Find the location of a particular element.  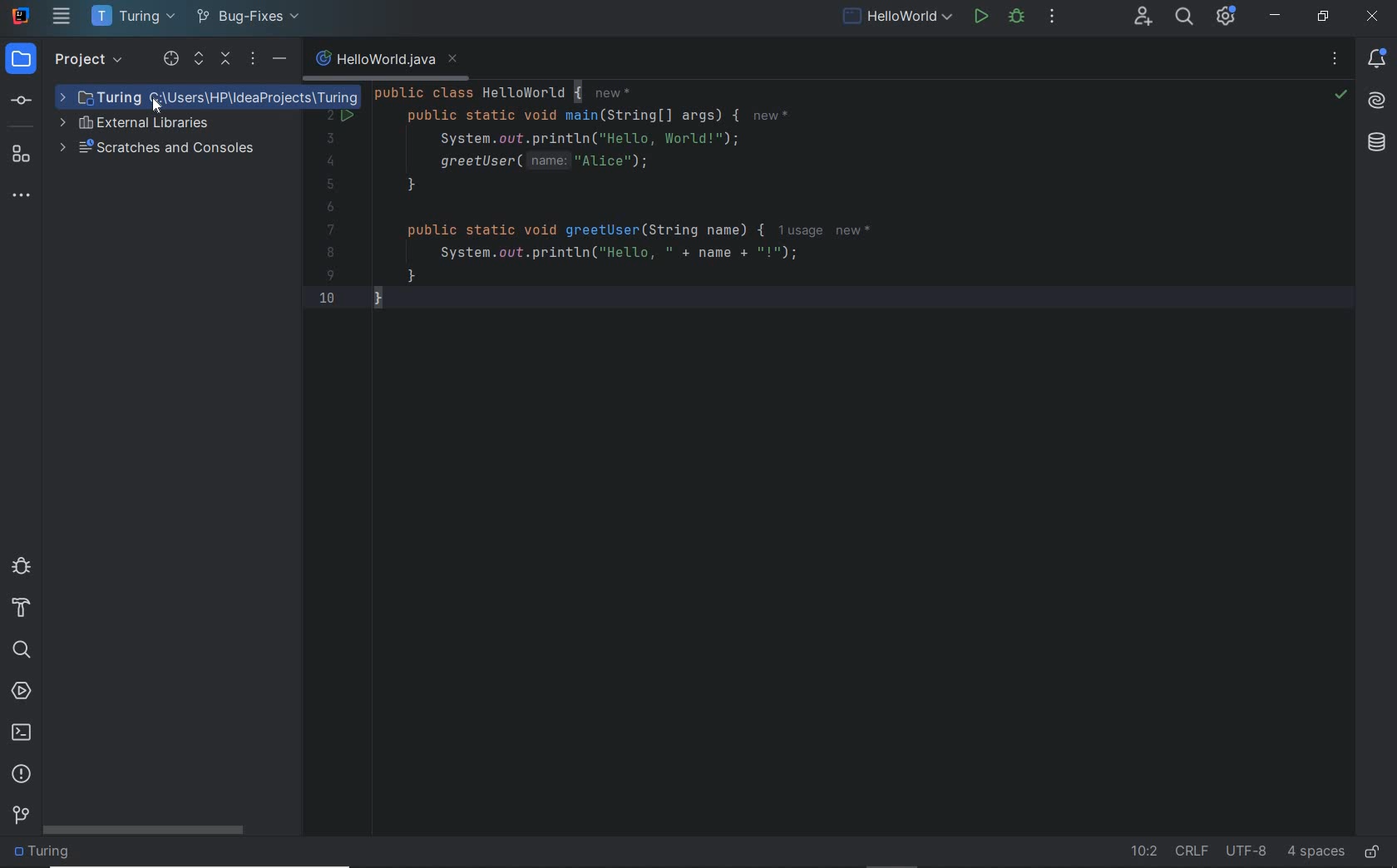

more tool windows is located at coordinates (22, 196).